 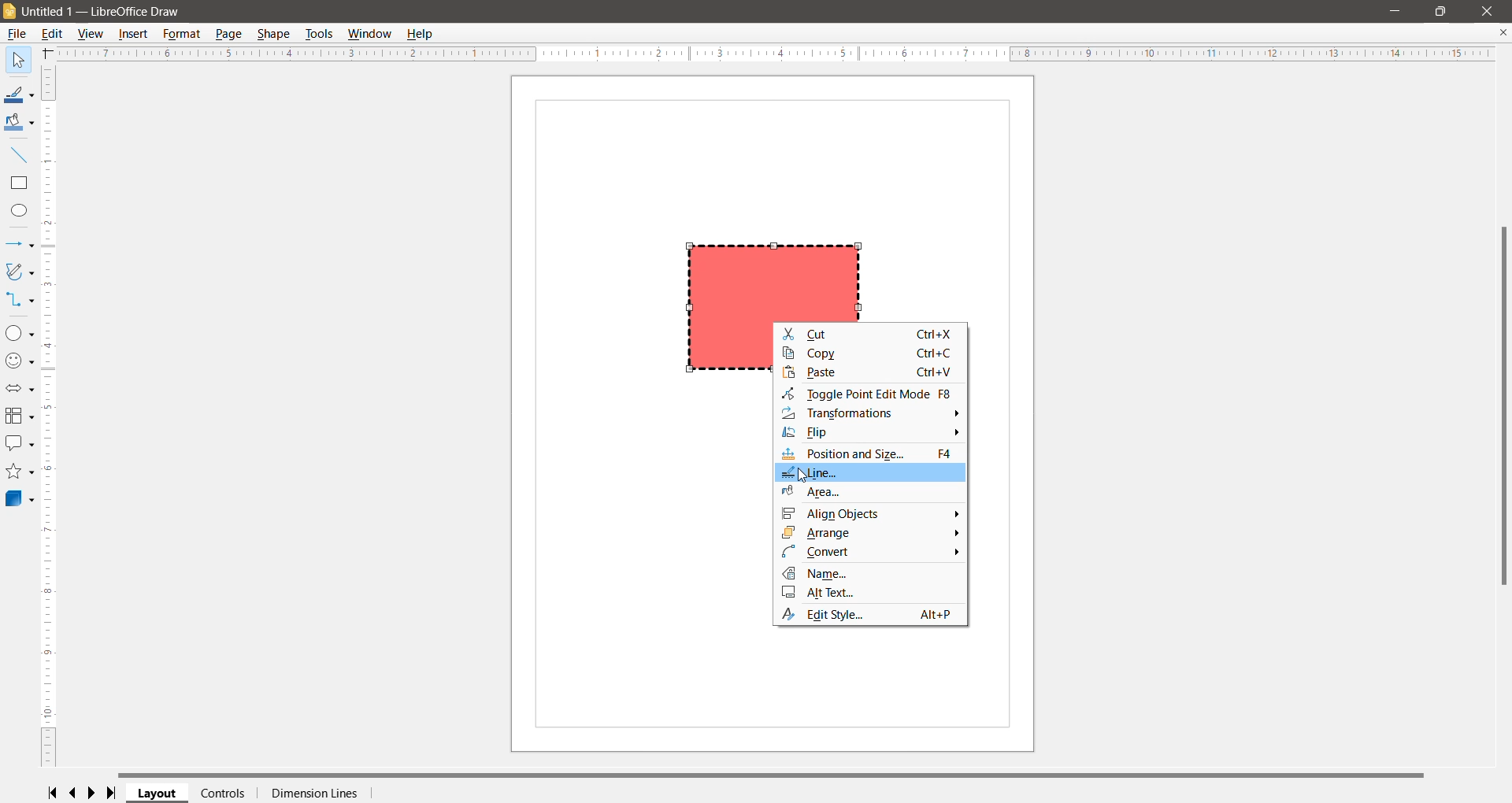 What do you see at coordinates (872, 334) in the screenshot?
I see `Cut` at bounding box center [872, 334].